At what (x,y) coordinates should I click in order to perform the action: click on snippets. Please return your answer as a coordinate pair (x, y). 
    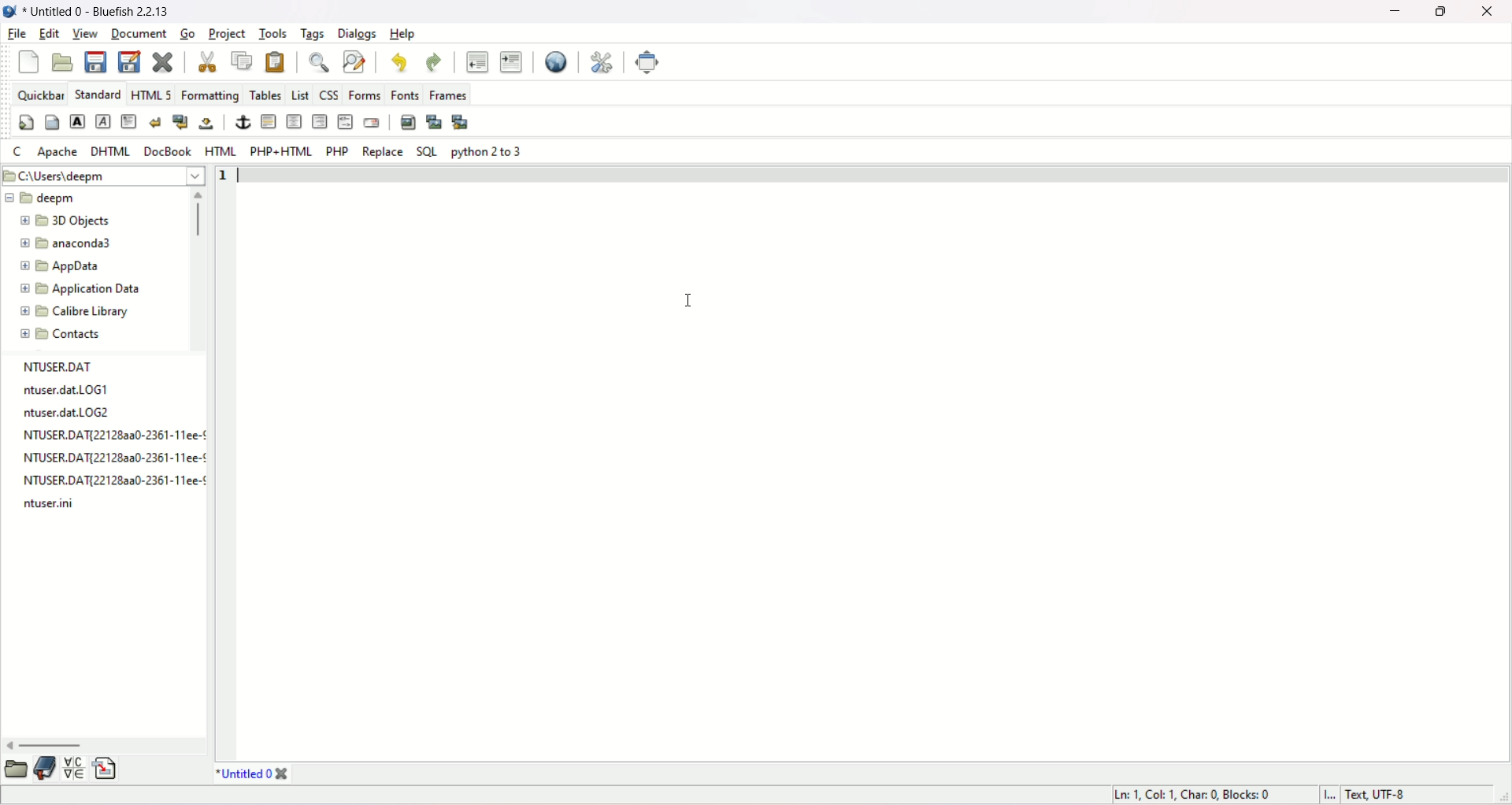
    Looking at the image, I should click on (107, 768).